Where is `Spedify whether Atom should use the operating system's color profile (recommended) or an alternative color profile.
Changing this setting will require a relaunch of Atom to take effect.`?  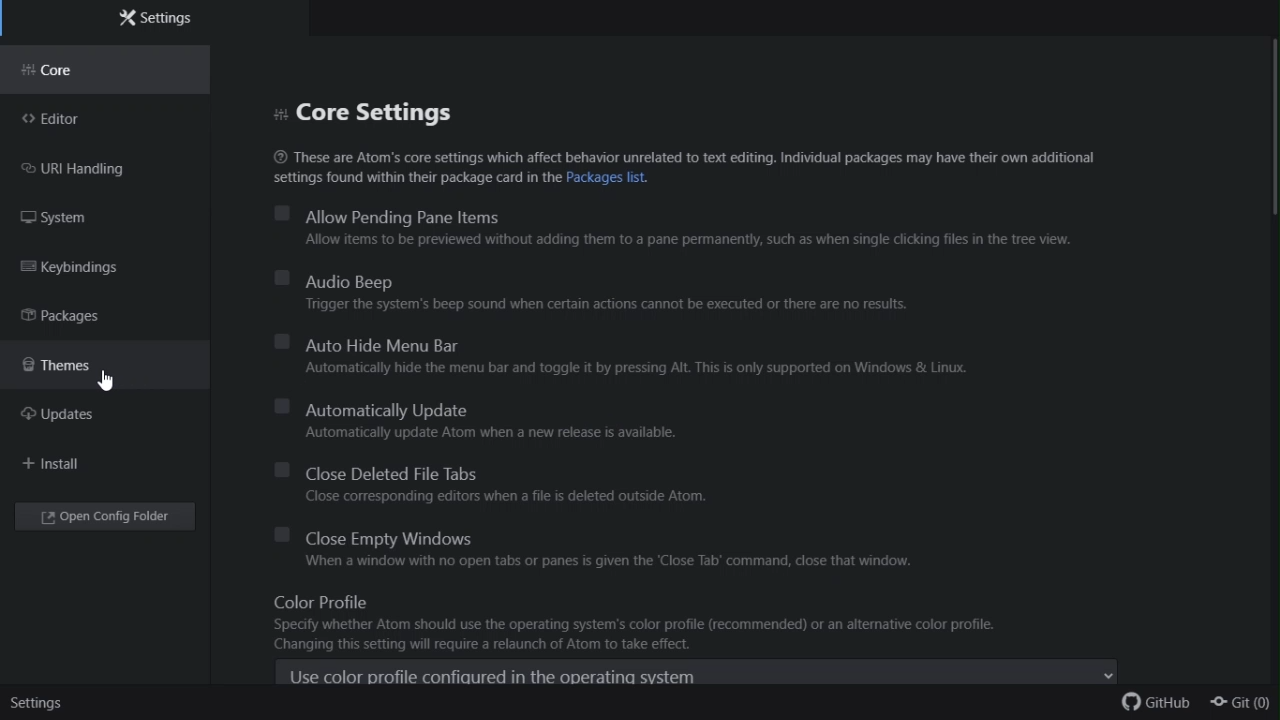 Spedify whether Atom should use the operating system's color profile (recommended) or an alternative color profile.
Changing this setting will require a relaunch of Atom to take effect. is located at coordinates (636, 637).